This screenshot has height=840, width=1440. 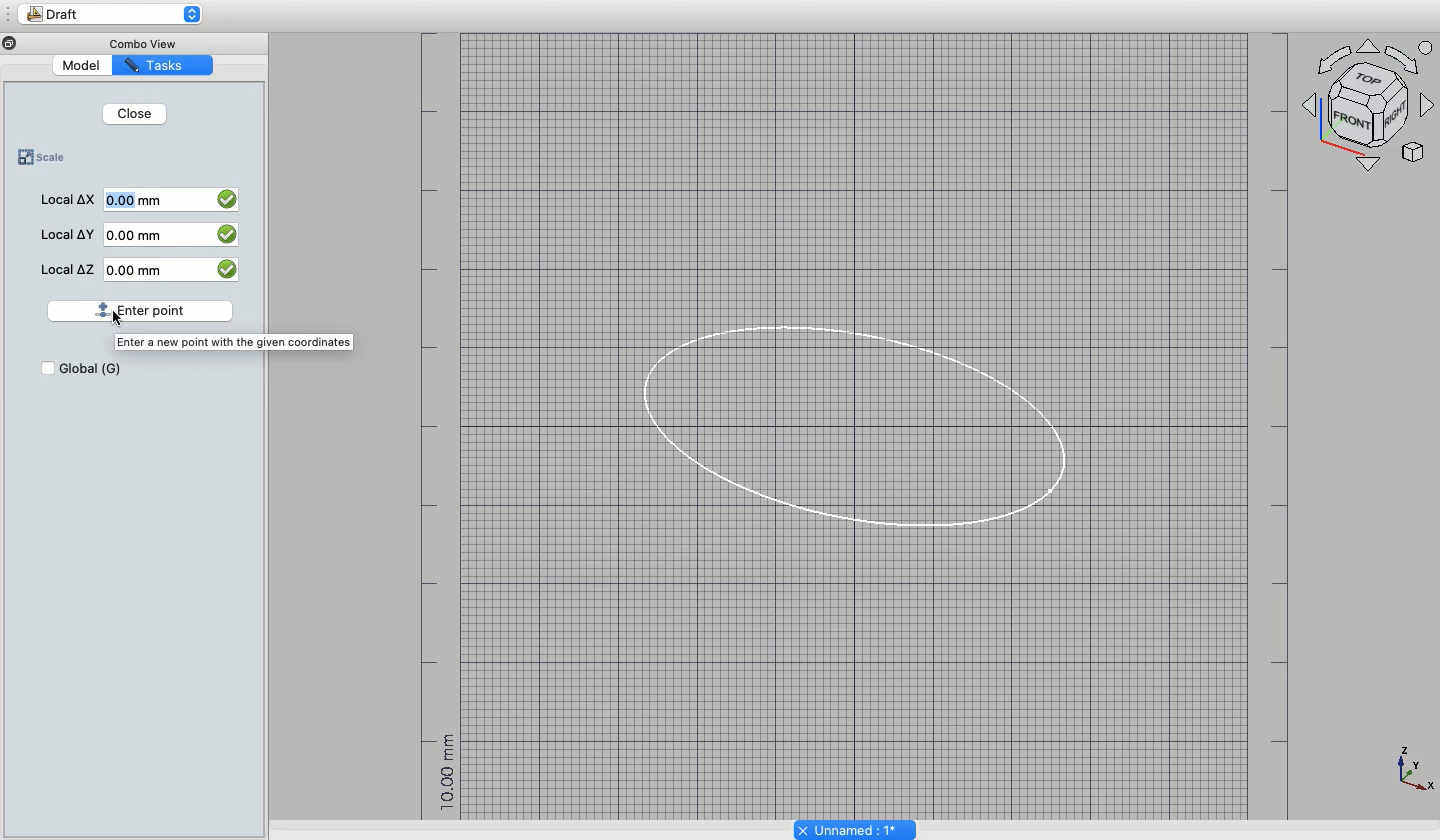 I want to click on Local Z, so click(x=69, y=270).